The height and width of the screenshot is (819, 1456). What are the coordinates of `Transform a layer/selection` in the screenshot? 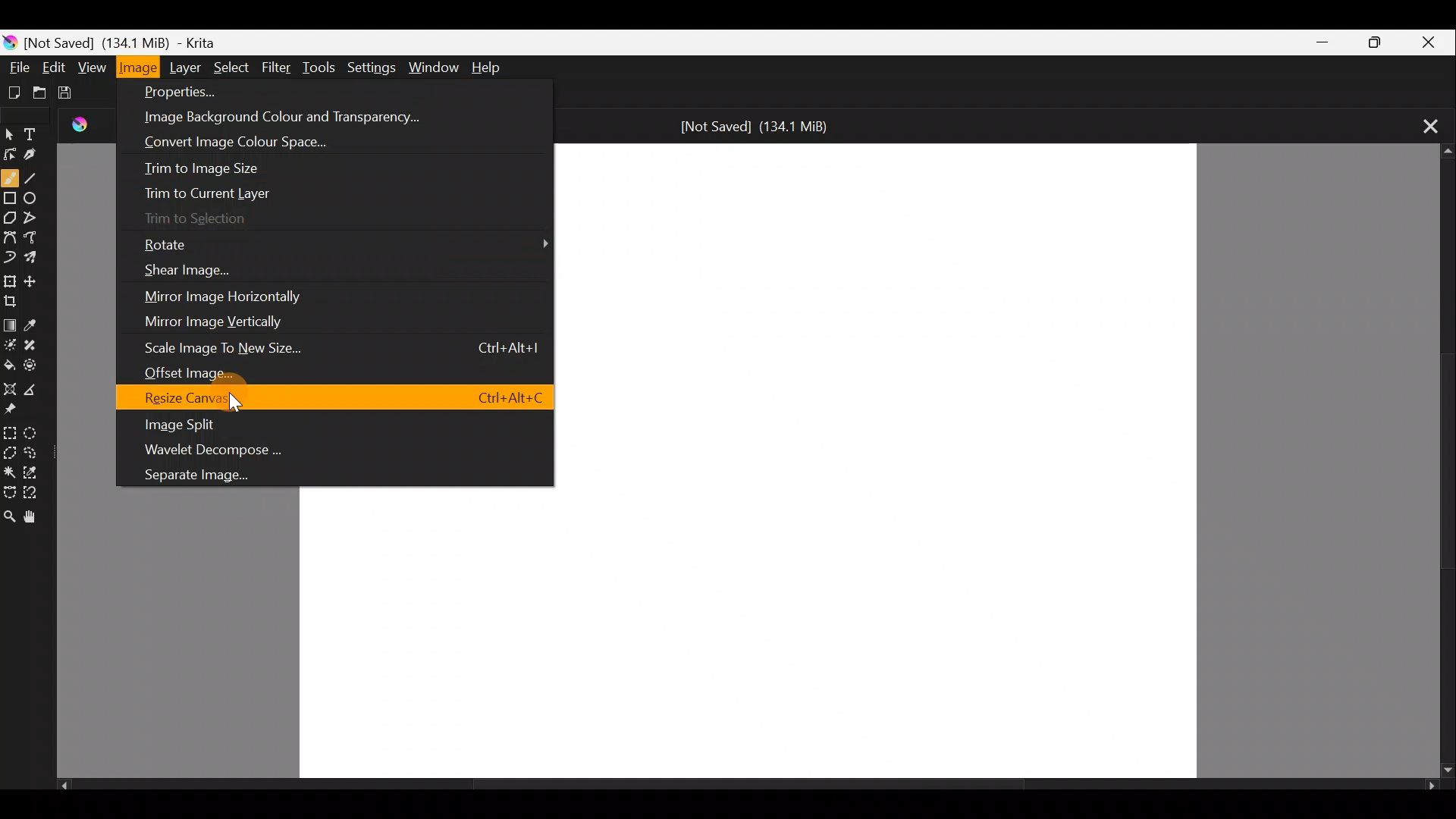 It's located at (10, 281).